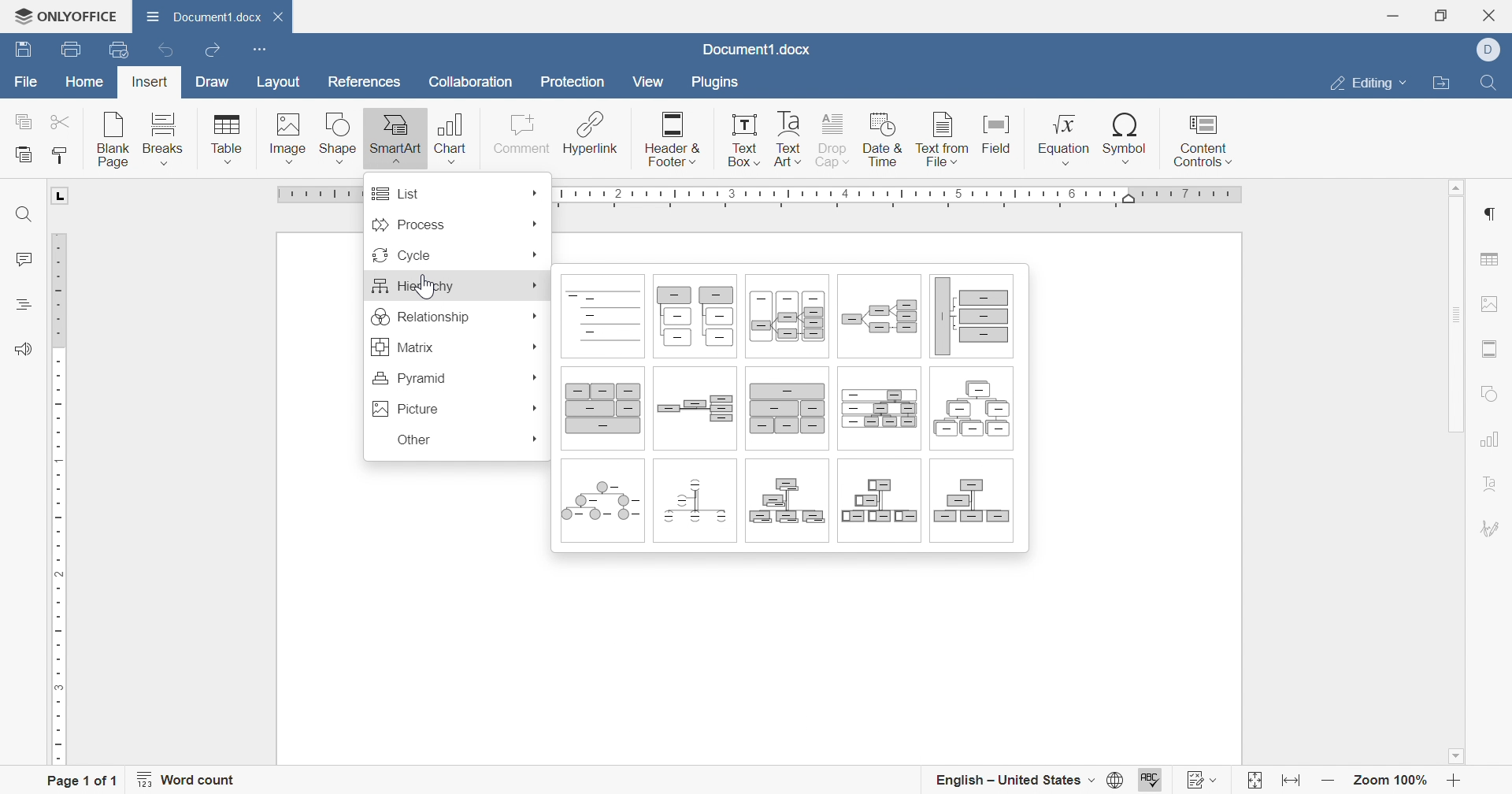 Image resolution: width=1512 pixels, height=794 pixels. What do you see at coordinates (1492, 258) in the screenshot?
I see `Table settings` at bounding box center [1492, 258].